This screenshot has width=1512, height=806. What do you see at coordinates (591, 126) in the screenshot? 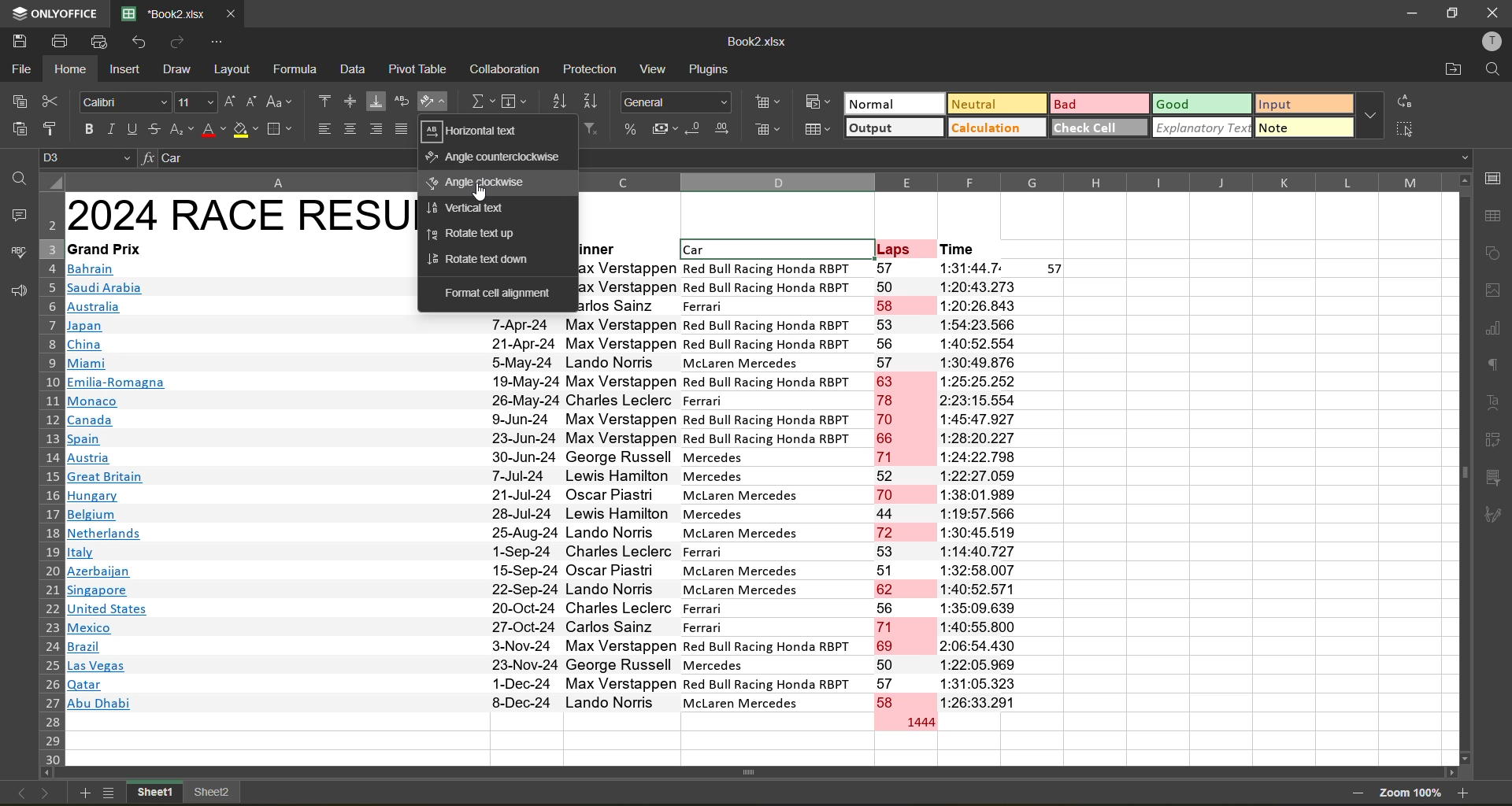
I see `clear filter` at bounding box center [591, 126].